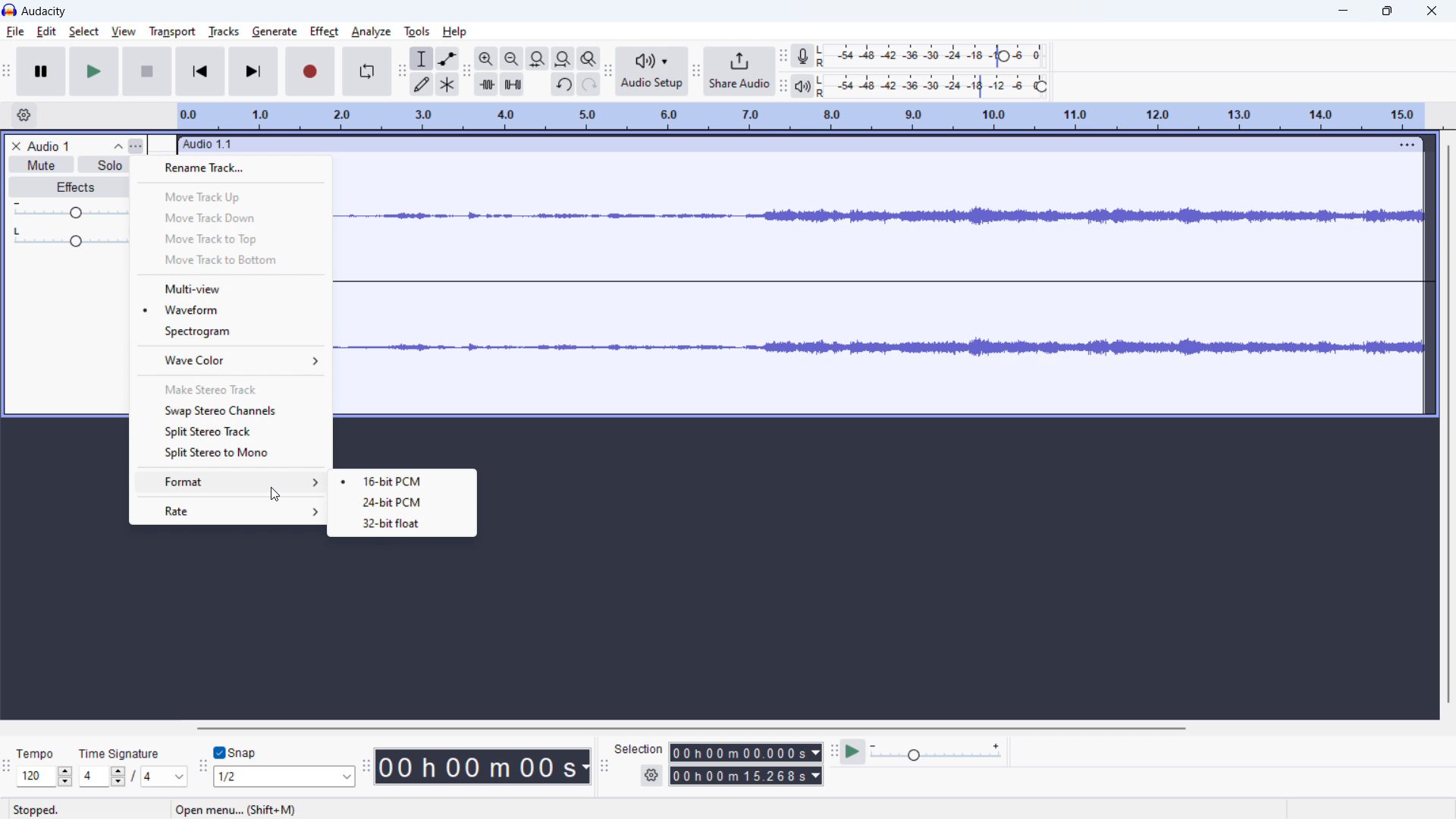 The height and width of the screenshot is (819, 1456). I want to click on analyze, so click(371, 33).